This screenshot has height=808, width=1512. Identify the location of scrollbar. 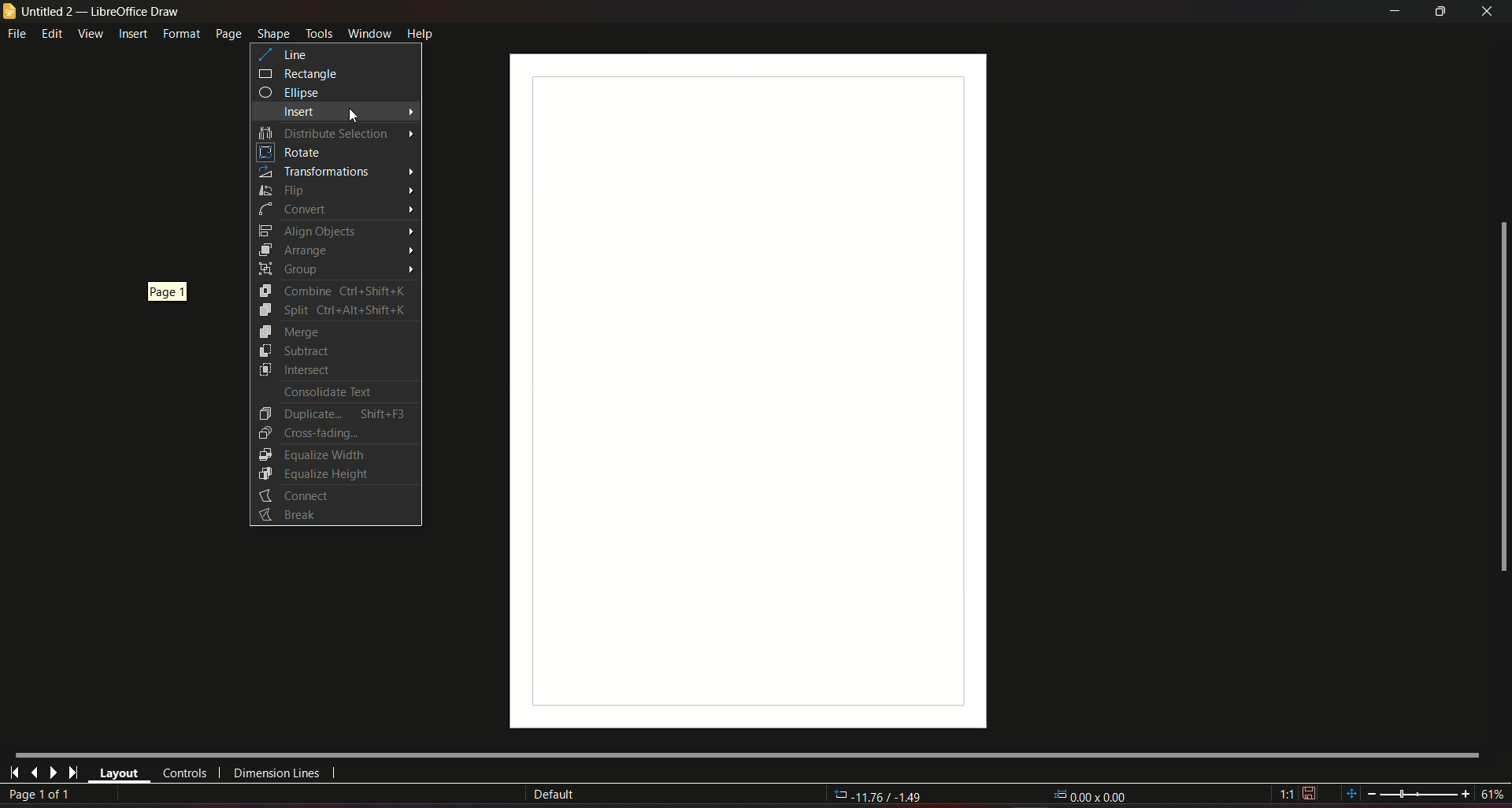
(1502, 398).